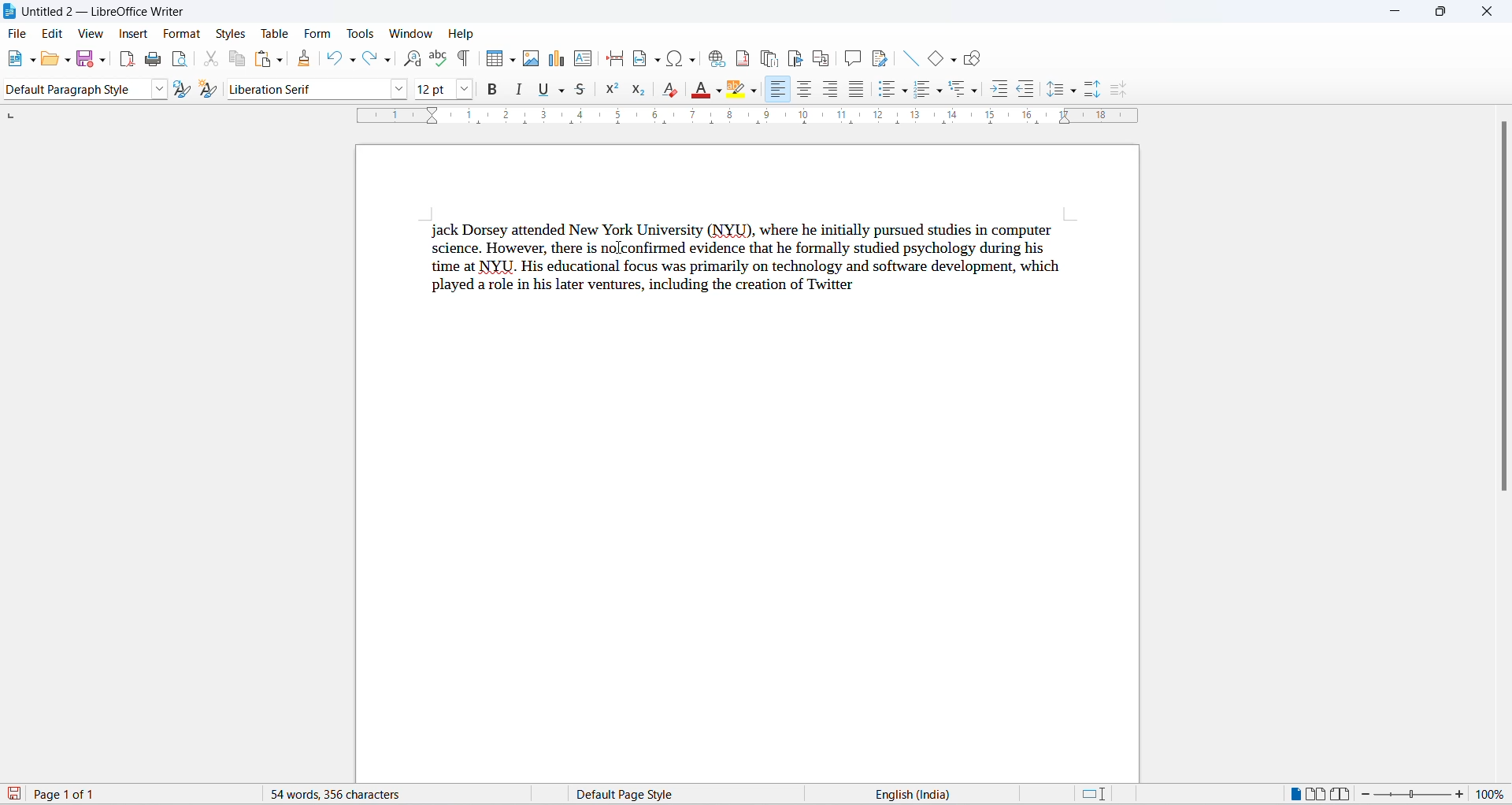  I want to click on insert cross-reference, so click(821, 57).